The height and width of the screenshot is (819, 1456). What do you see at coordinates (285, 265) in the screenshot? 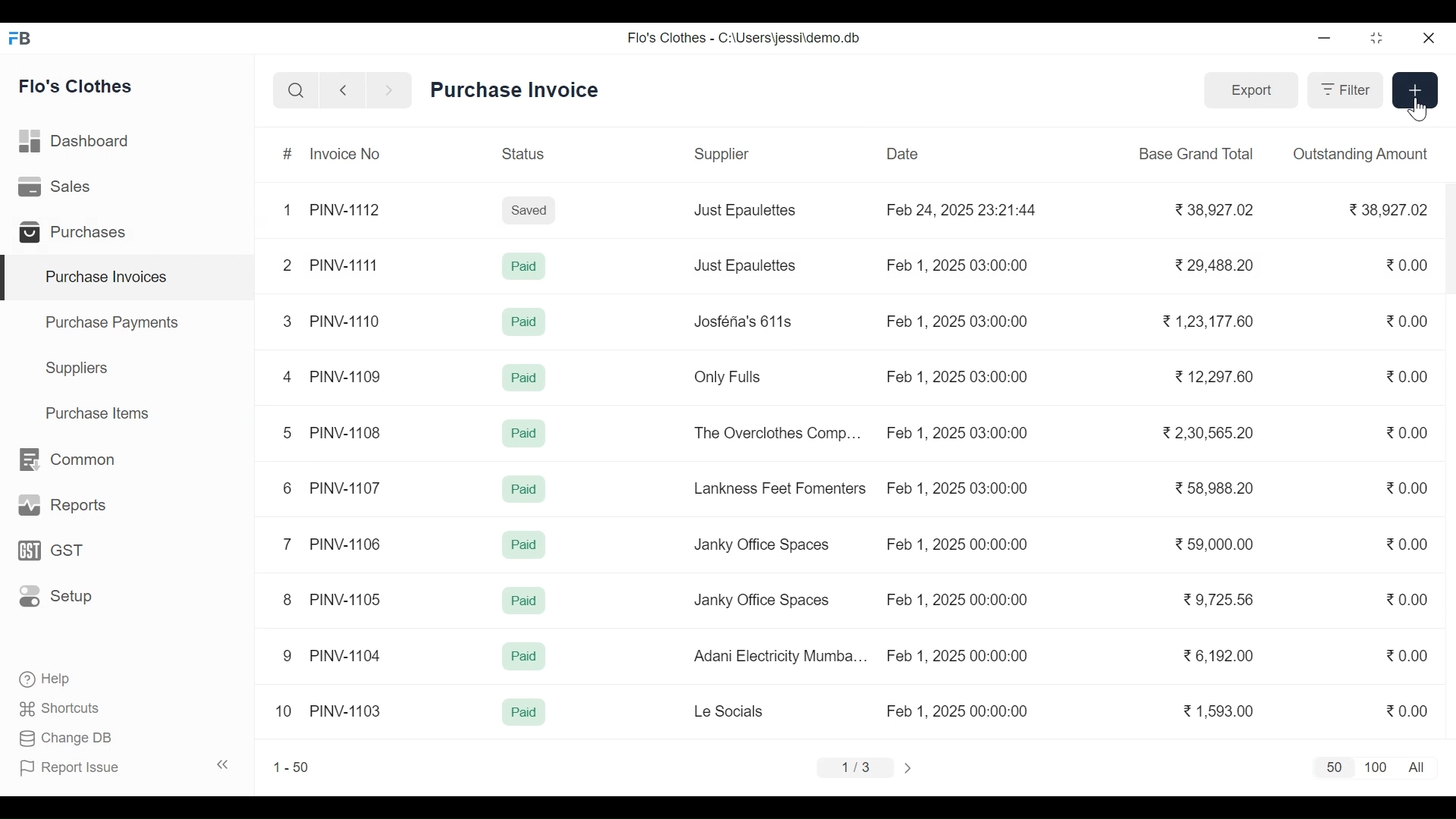
I see `2` at bounding box center [285, 265].